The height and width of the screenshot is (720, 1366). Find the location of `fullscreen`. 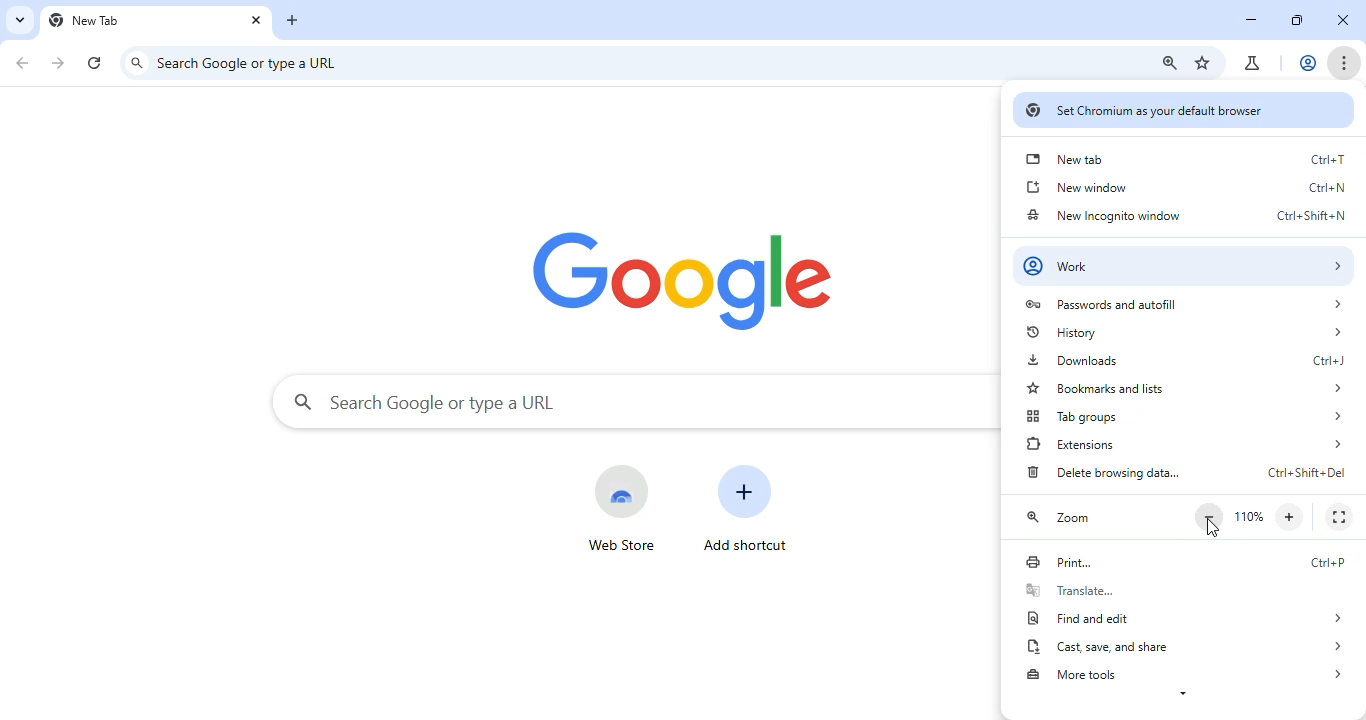

fullscreen is located at coordinates (1337, 517).